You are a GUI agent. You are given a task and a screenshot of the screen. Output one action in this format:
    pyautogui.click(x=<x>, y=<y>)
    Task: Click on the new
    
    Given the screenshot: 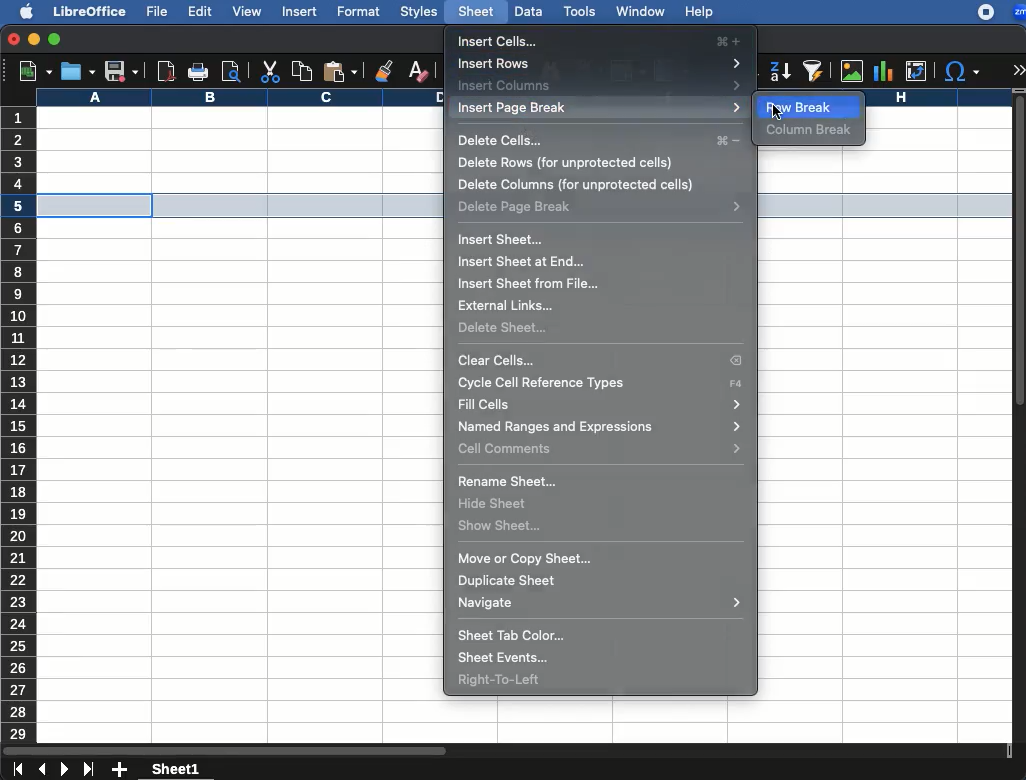 What is the action you would take?
    pyautogui.click(x=31, y=71)
    